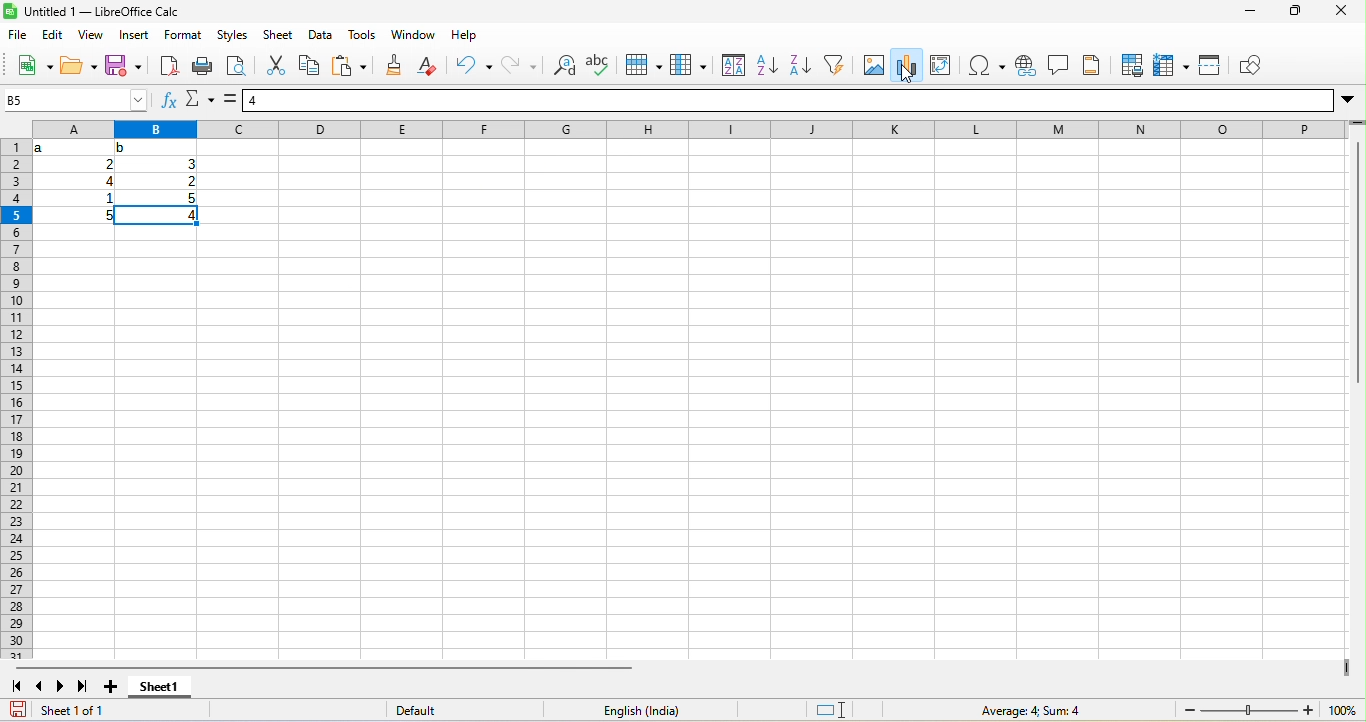 The width and height of the screenshot is (1366, 722). I want to click on sheet 1 of 1, so click(121, 710).